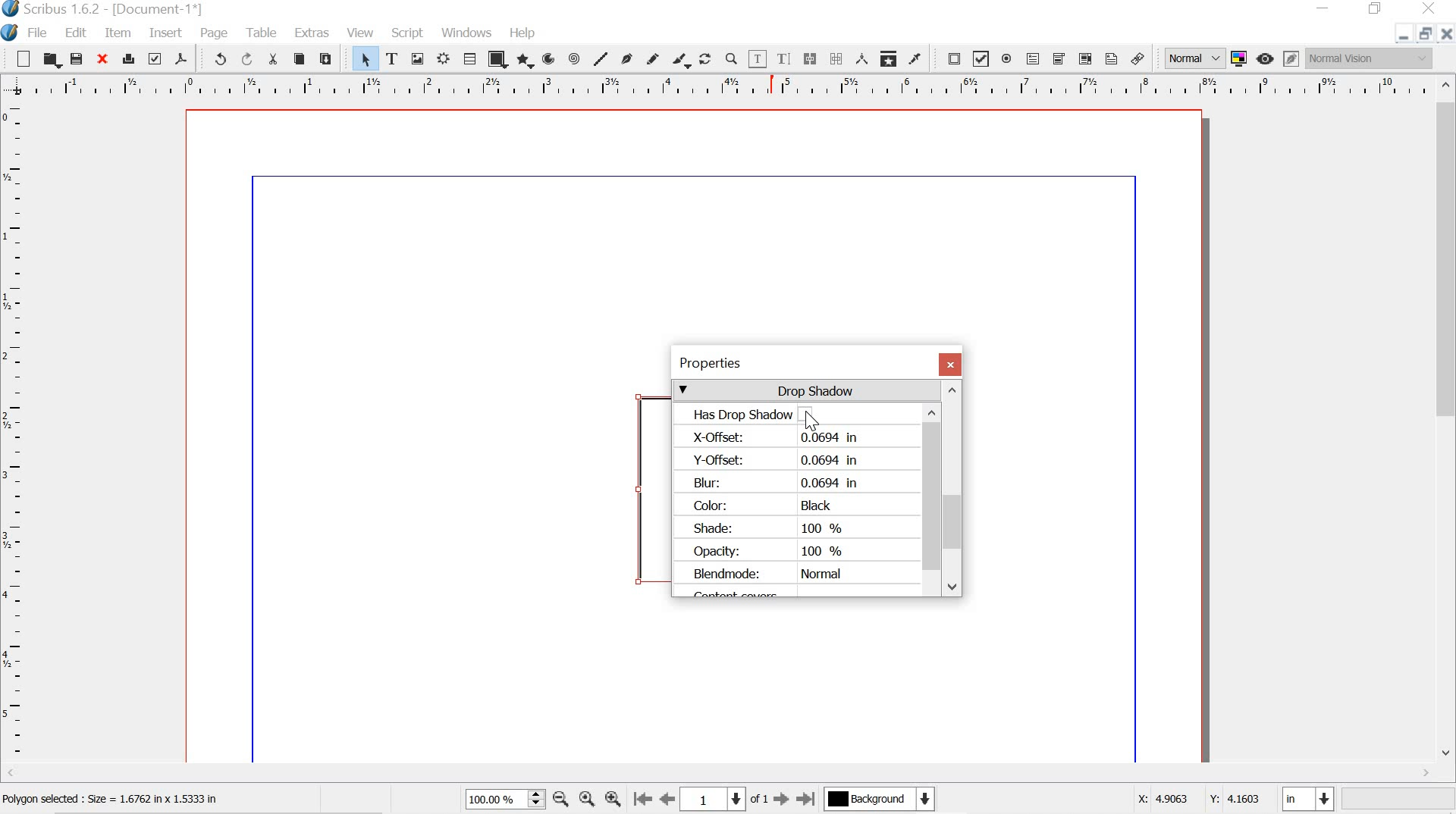  Describe the element at coordinates (1291, 58) in the screenshot. I see `EDIT IN PREVIEW MODE` at that location.